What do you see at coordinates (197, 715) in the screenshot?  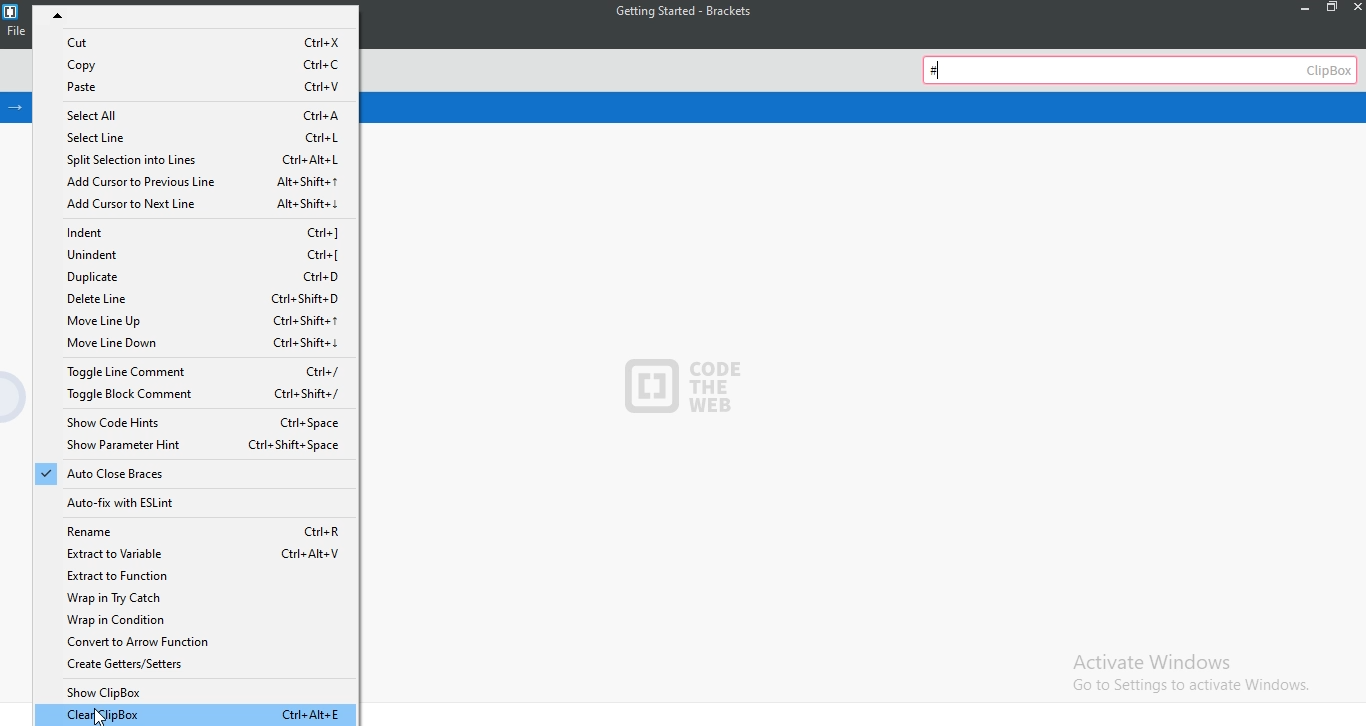 I see `Clear ClipBox` at bounding box center [197, 715].